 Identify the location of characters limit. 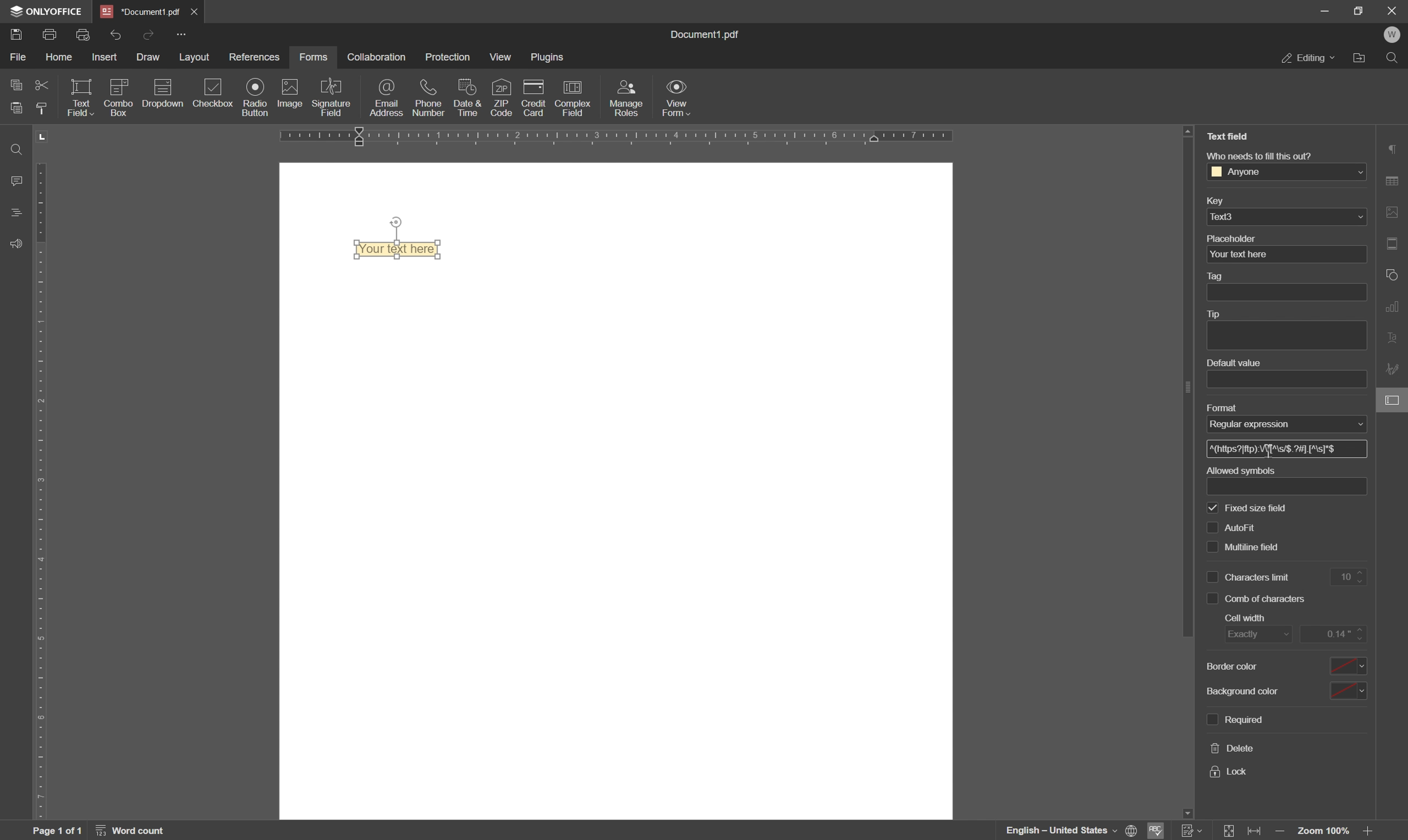
(1261, 546).